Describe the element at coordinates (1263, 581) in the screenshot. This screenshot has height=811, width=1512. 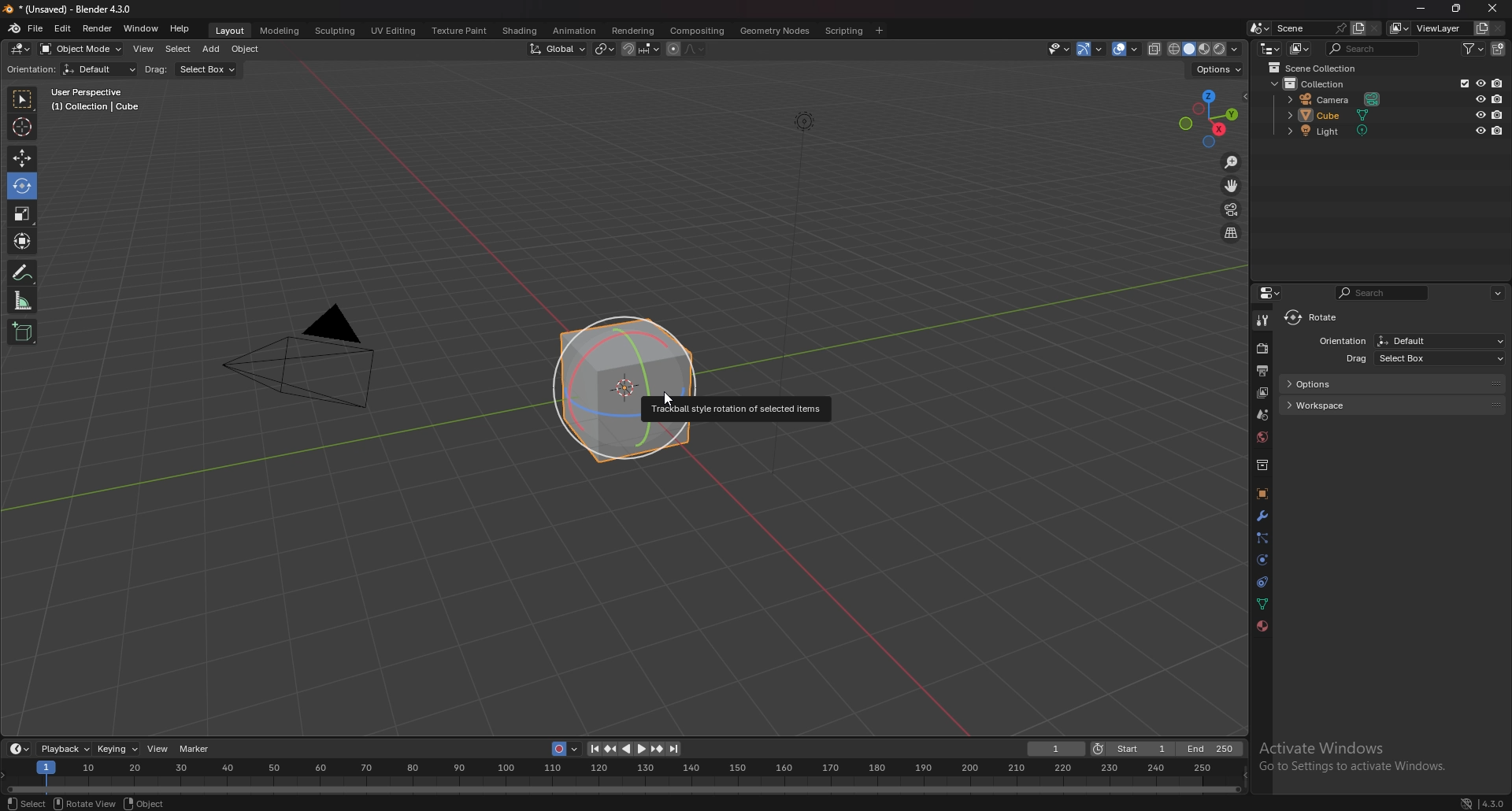
I see `constraints` at that location.